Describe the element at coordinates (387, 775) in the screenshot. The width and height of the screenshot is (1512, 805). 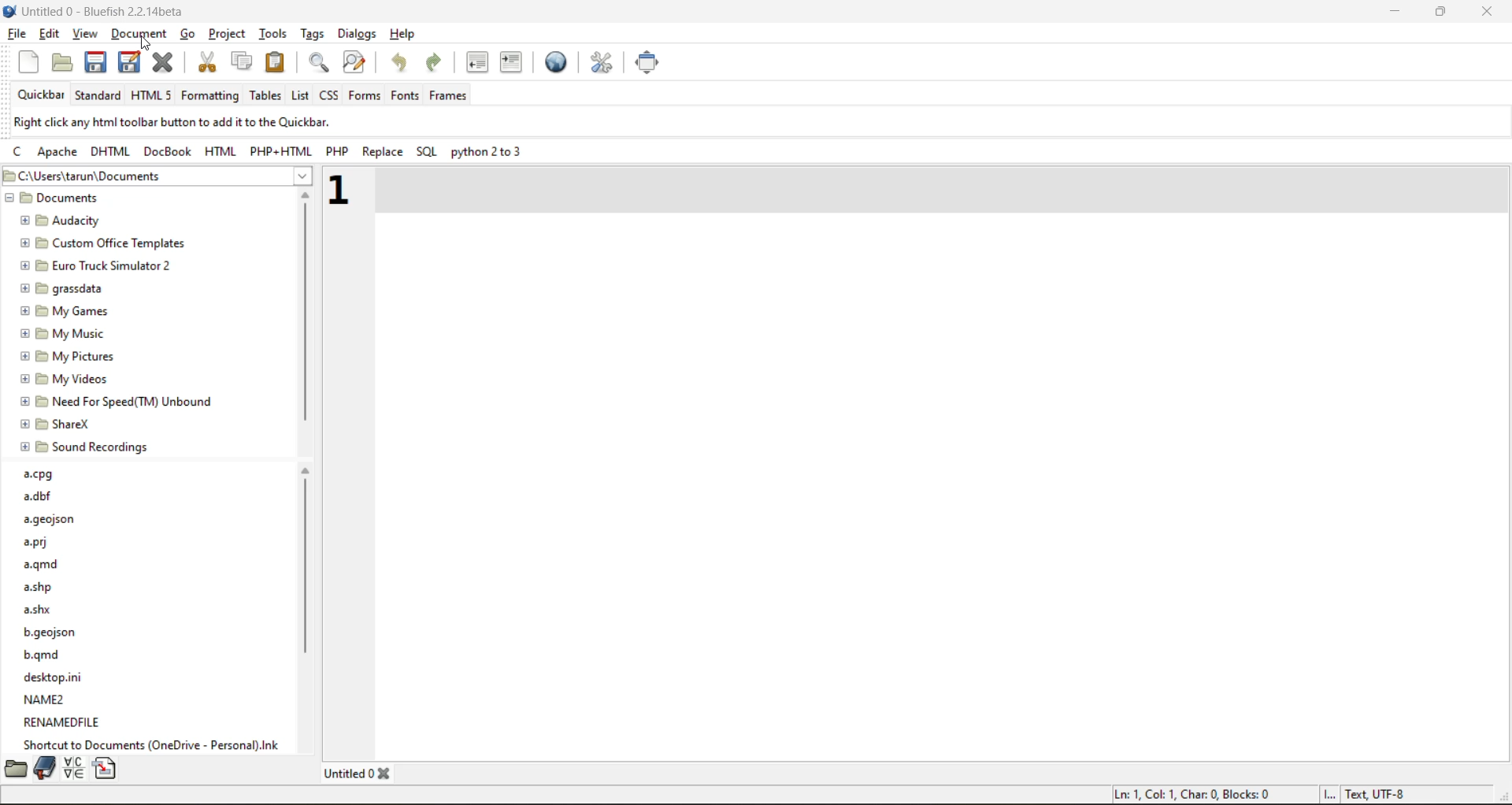
I see `Close` at that location.